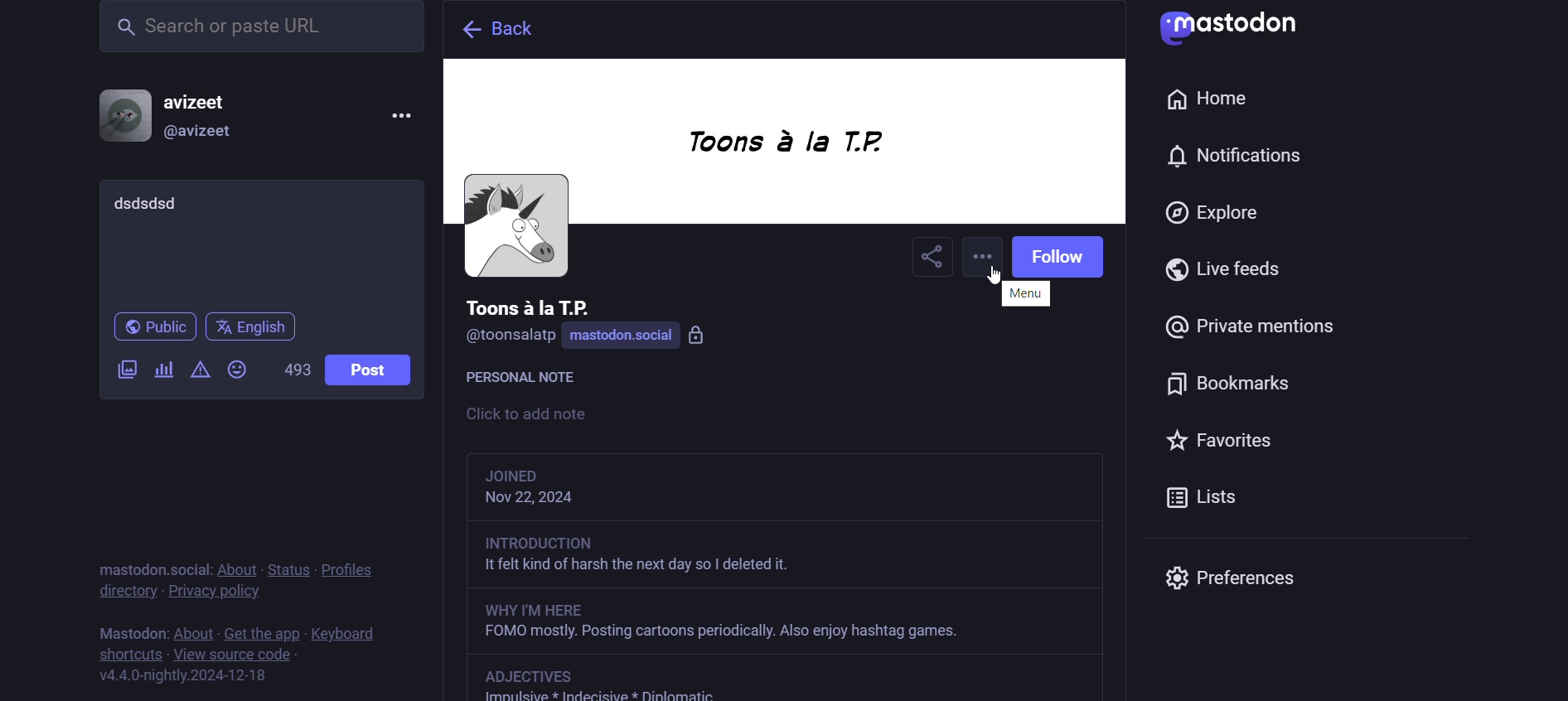  Describe the element at coordinates (149, 330) in the screenshot. I see `public` at that location.